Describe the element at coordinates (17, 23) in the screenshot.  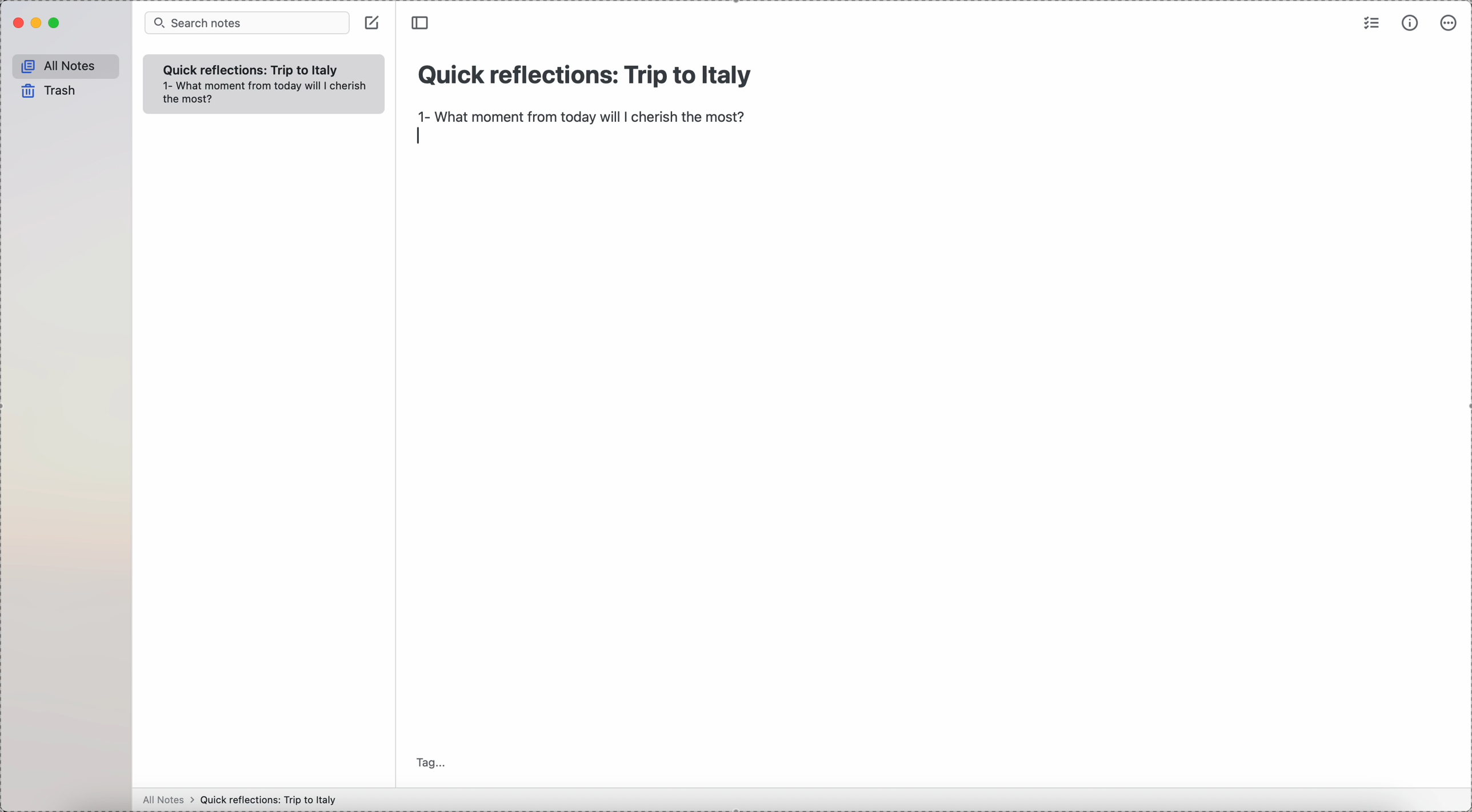
I see `close Simplenote` at that location.